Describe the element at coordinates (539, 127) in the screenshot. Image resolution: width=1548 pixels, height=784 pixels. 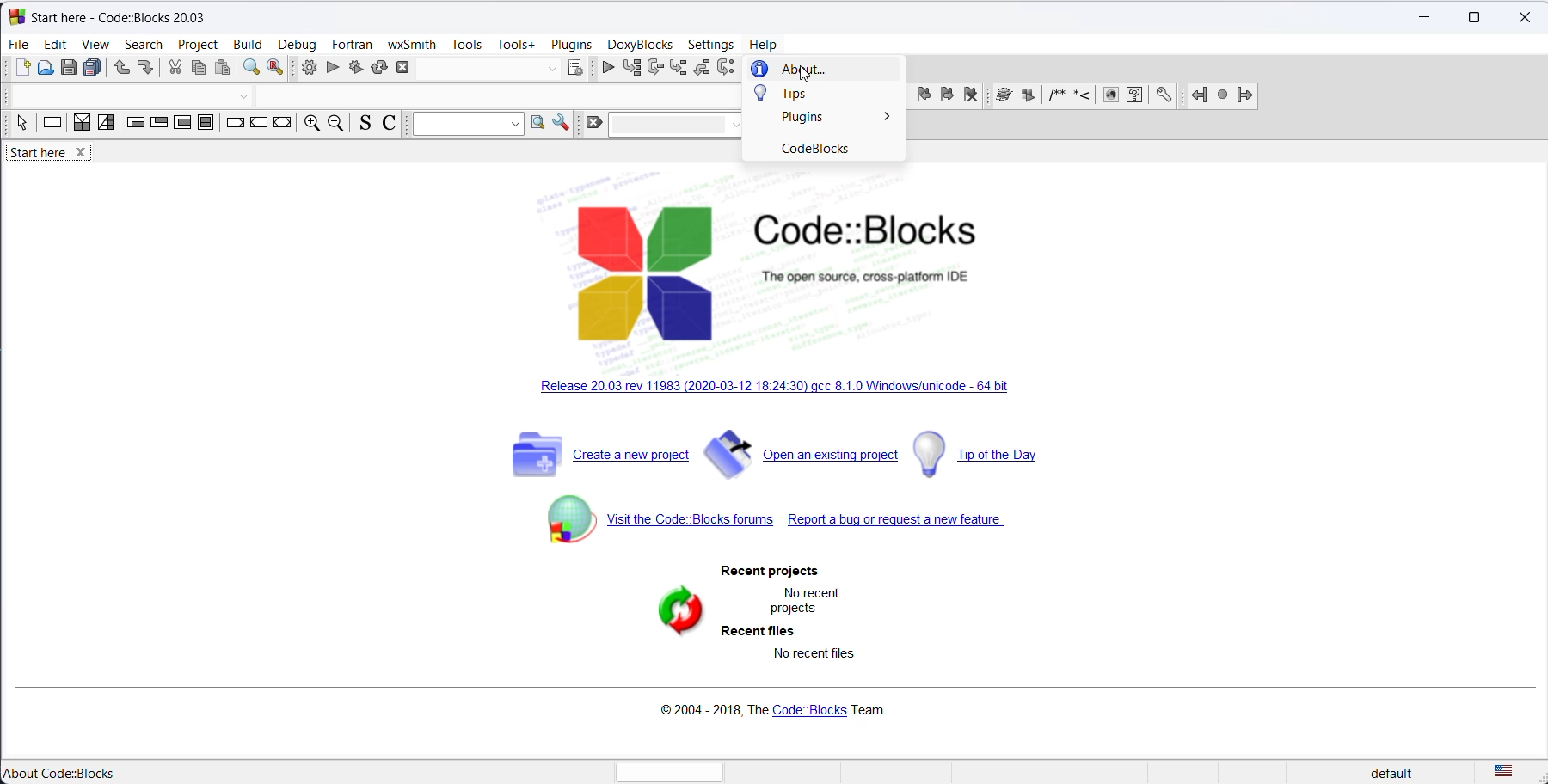
I see `option window` at that location.